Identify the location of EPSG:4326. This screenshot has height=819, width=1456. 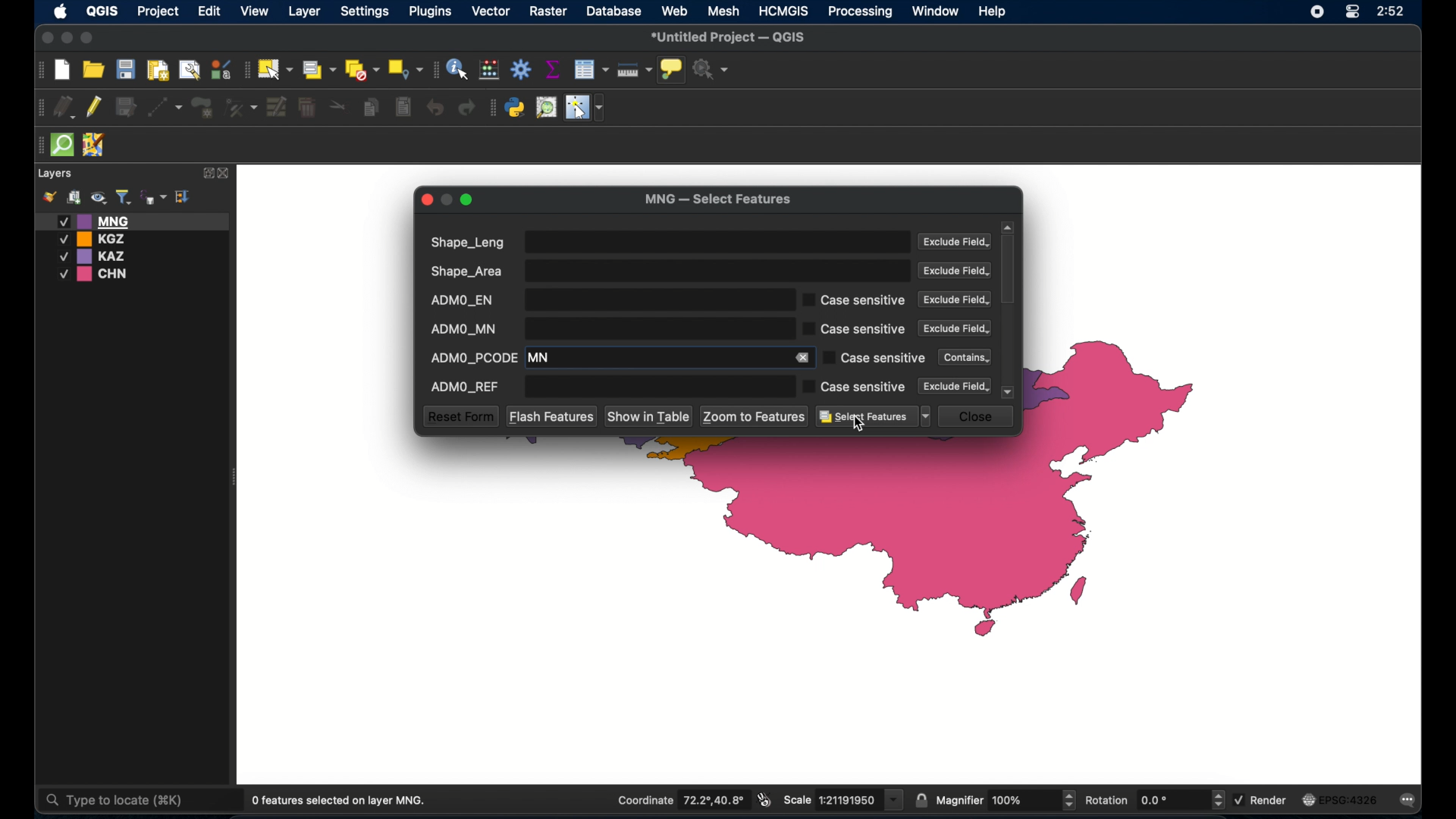
(1341, 800).